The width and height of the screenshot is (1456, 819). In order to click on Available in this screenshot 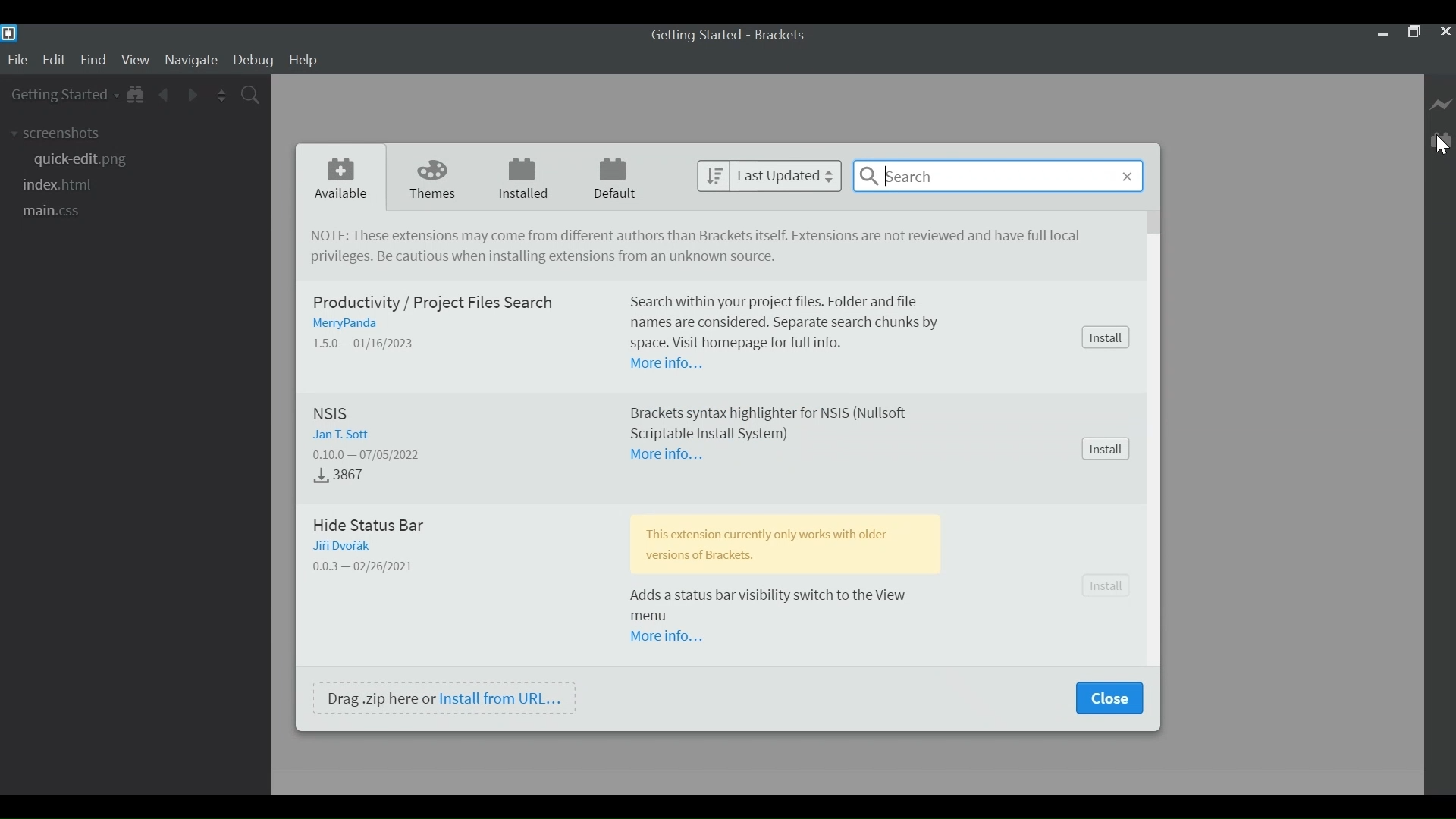, I will do `click(343, 179)`.